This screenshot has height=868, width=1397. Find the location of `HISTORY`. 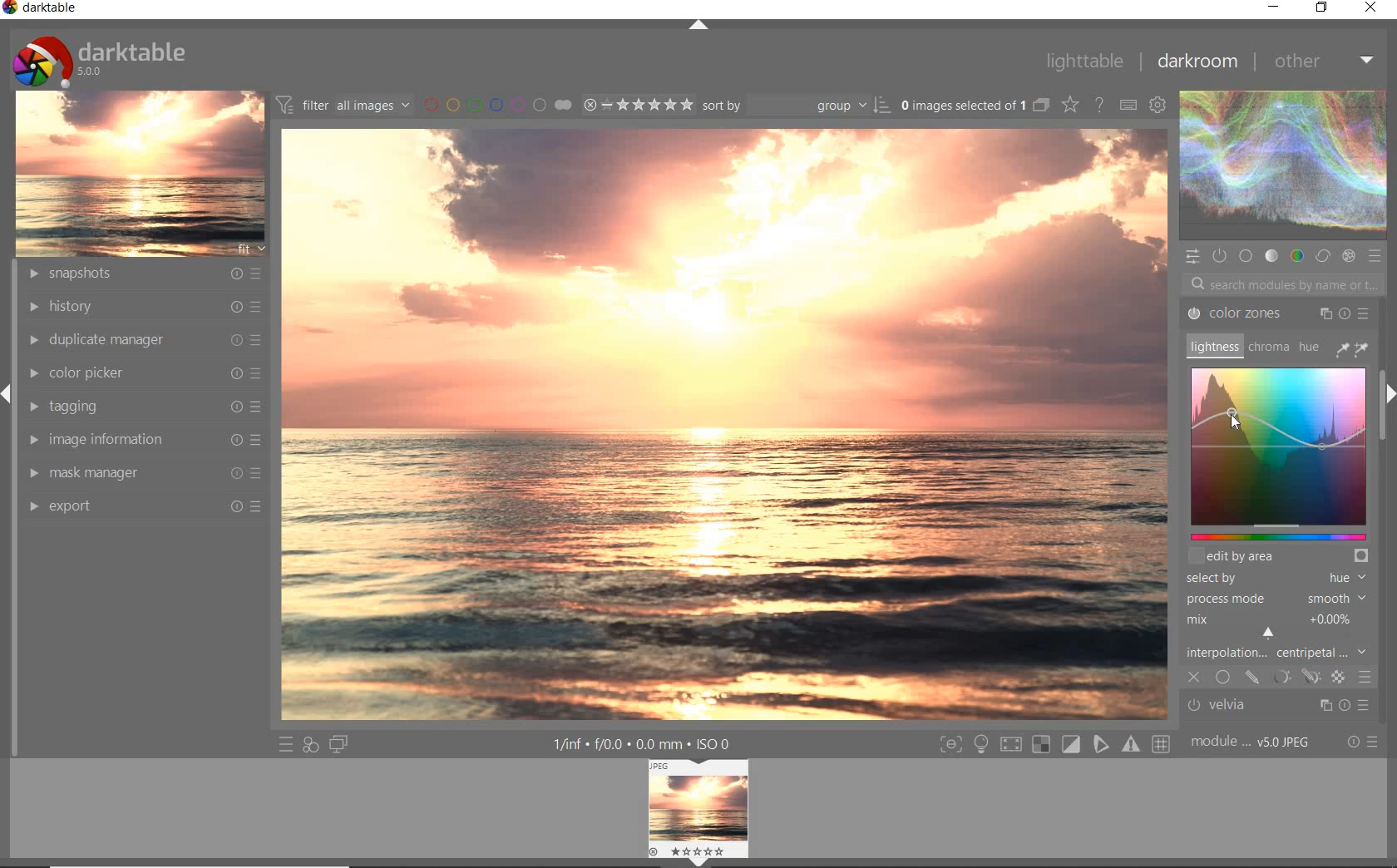

HISTORY is located at coordinates (143, 307).